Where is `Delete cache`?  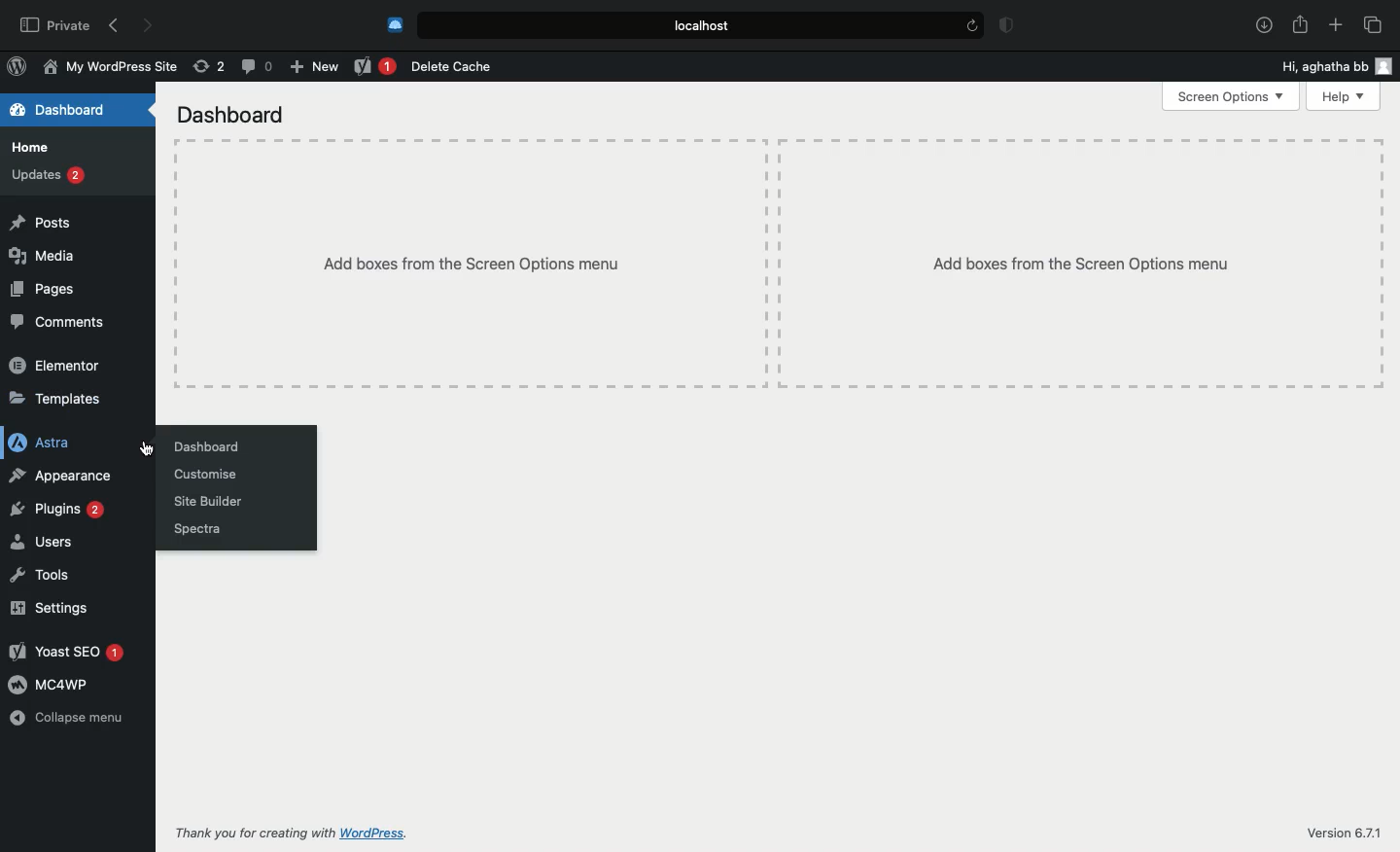 Delete cache is located at coordinates (449, 66).